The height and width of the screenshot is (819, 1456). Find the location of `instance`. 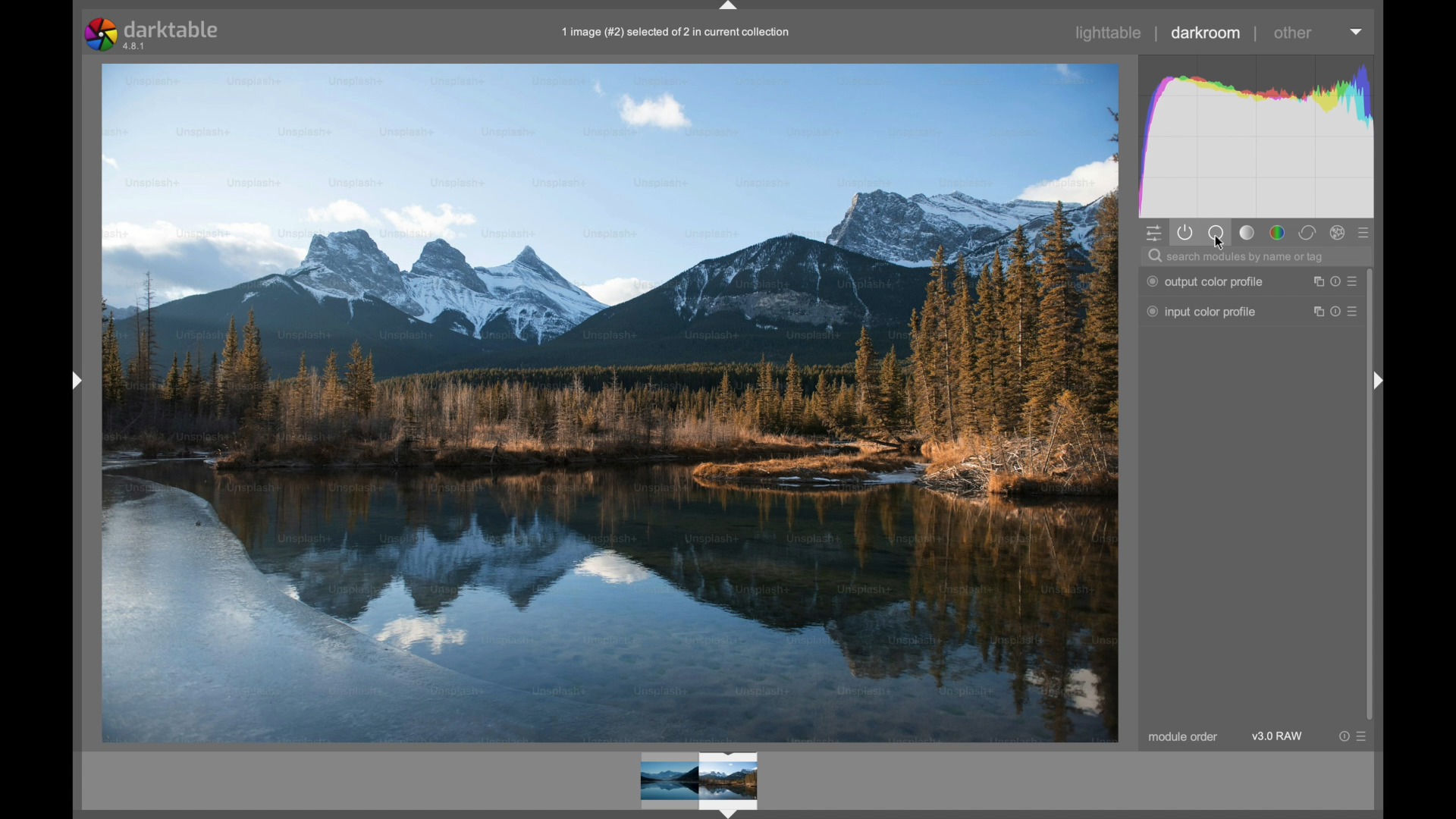

instance is located at coordinates (1314, 281).